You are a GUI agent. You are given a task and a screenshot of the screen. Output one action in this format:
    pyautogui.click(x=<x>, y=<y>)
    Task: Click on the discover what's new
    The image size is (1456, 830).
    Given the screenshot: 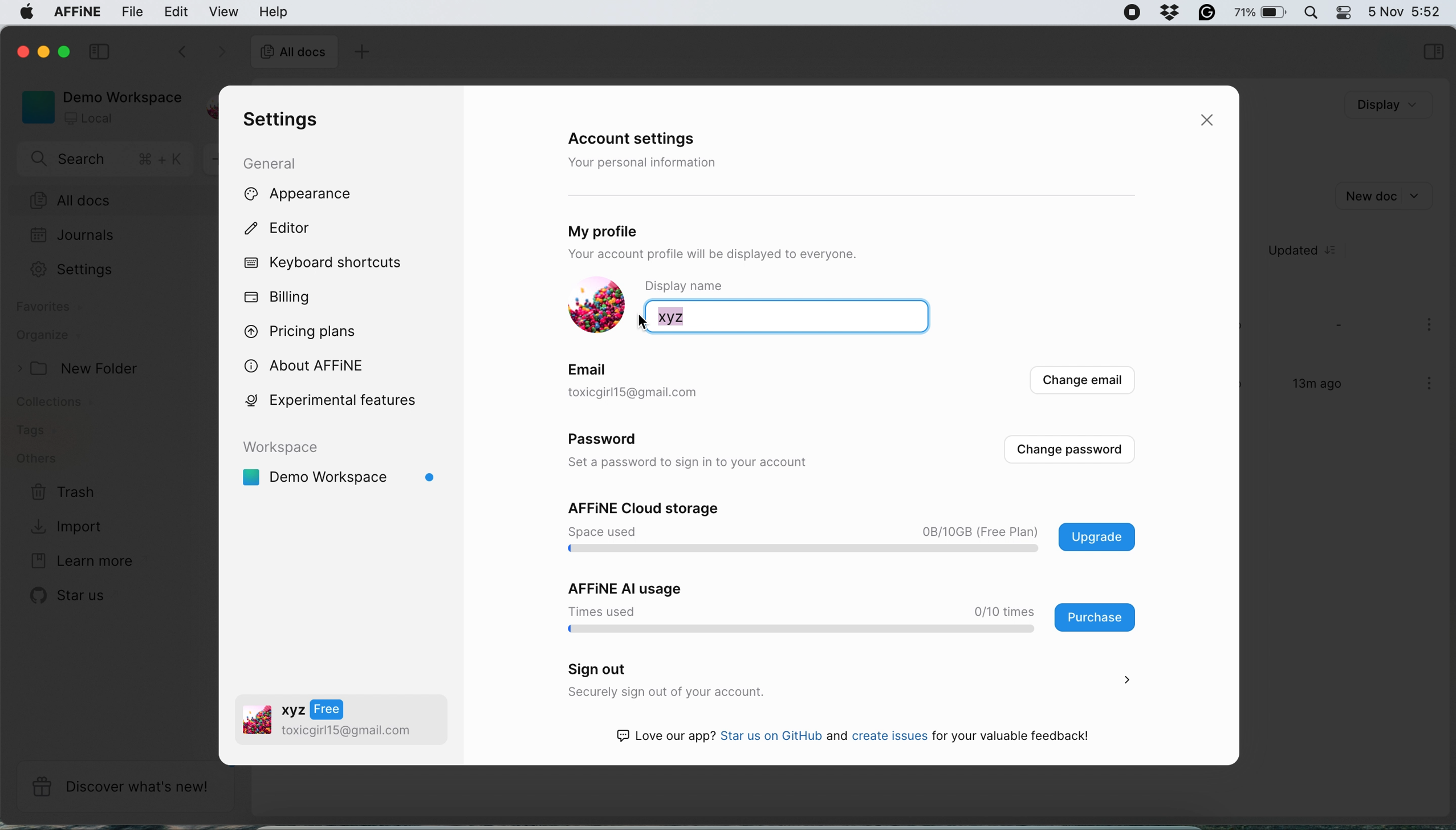 What is the action you would take?
    pyautogui.click(x=125, y=787)
    